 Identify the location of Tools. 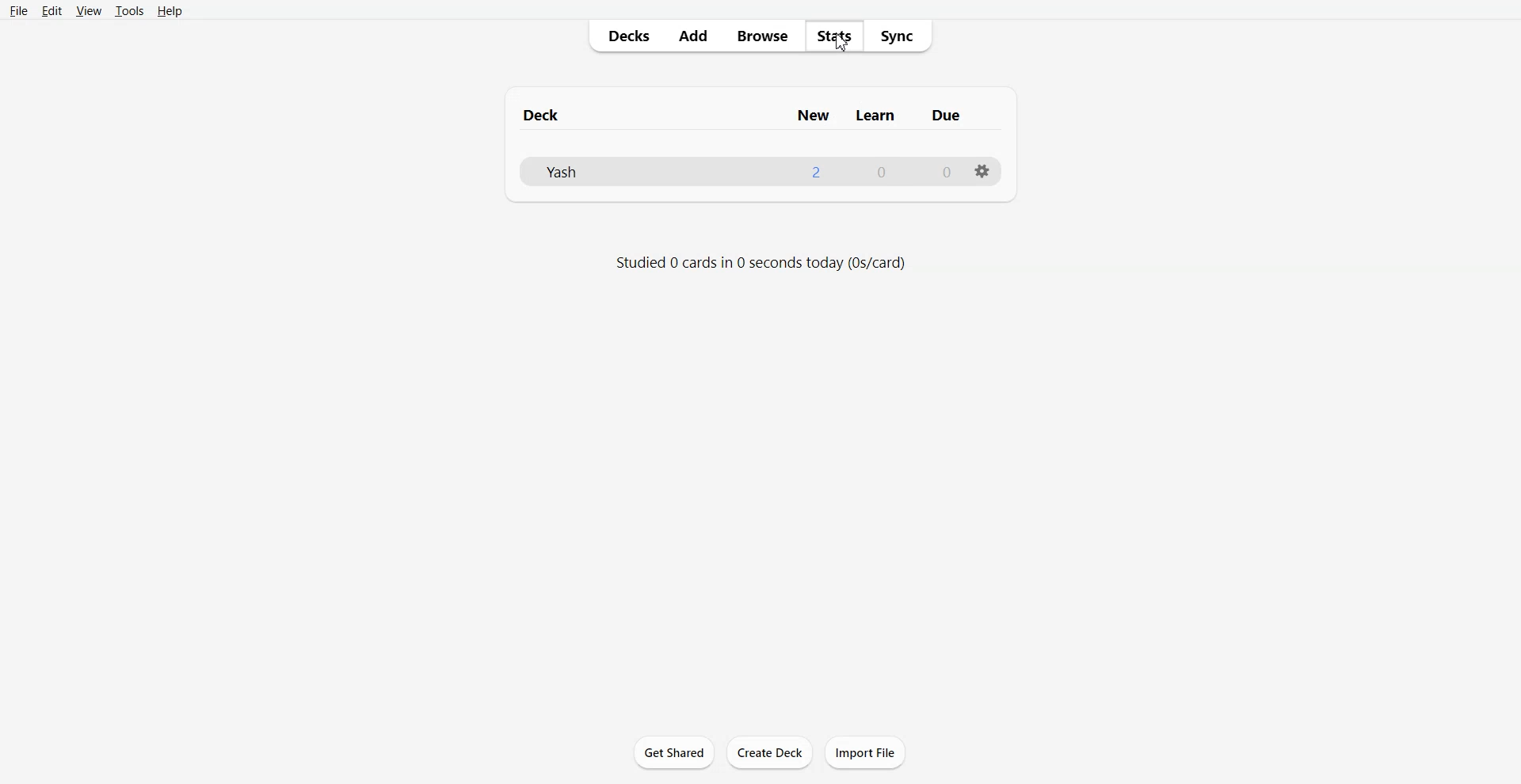
(129, 11).